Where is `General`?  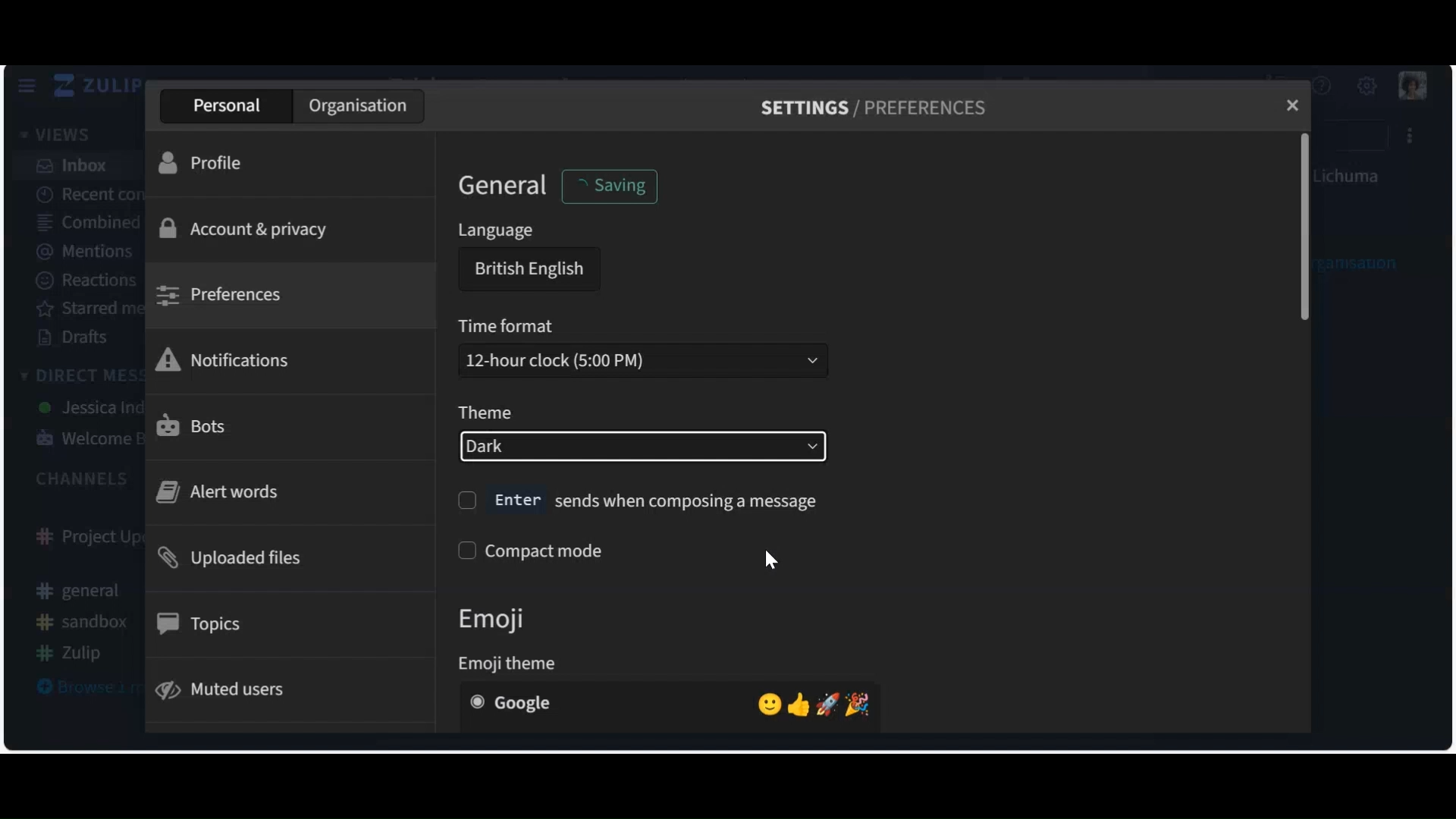
General is located at coordinates (503, 188).